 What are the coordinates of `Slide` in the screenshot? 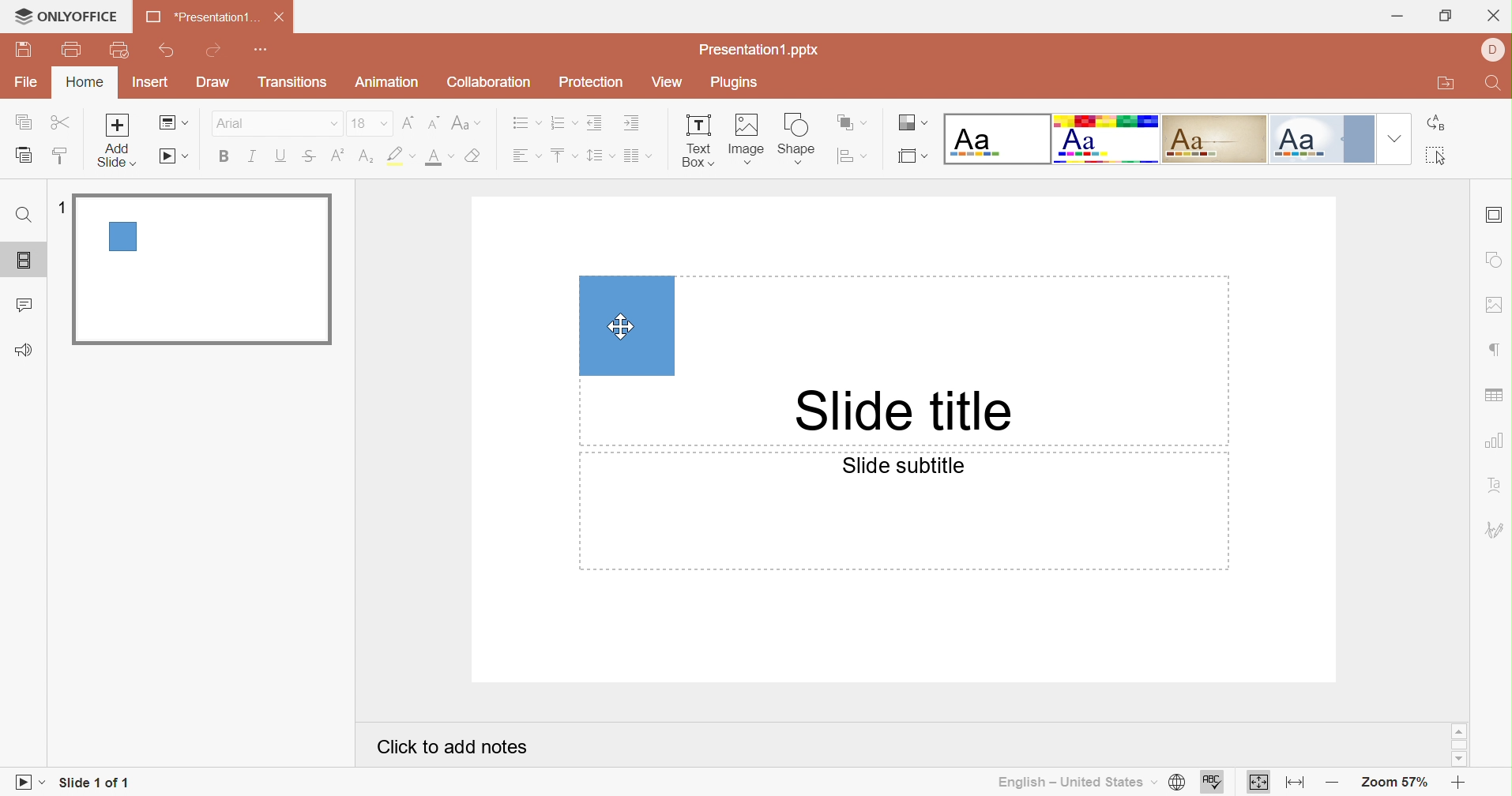 It's located at (202, 268).